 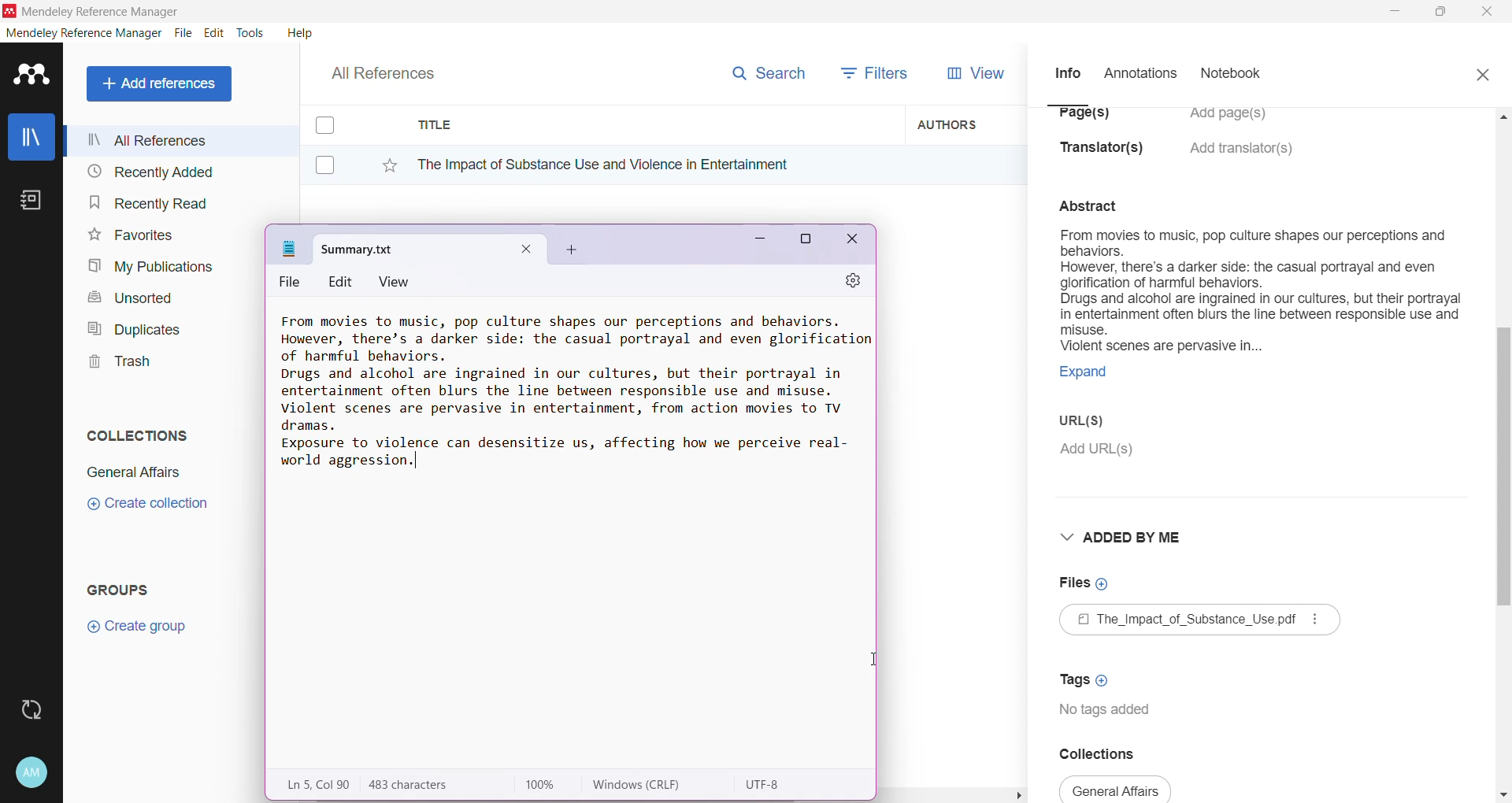 What do you see at coordinates (548, 785) in the screenshot?
I see `Zoom Level` at bounding box center [548, 785].